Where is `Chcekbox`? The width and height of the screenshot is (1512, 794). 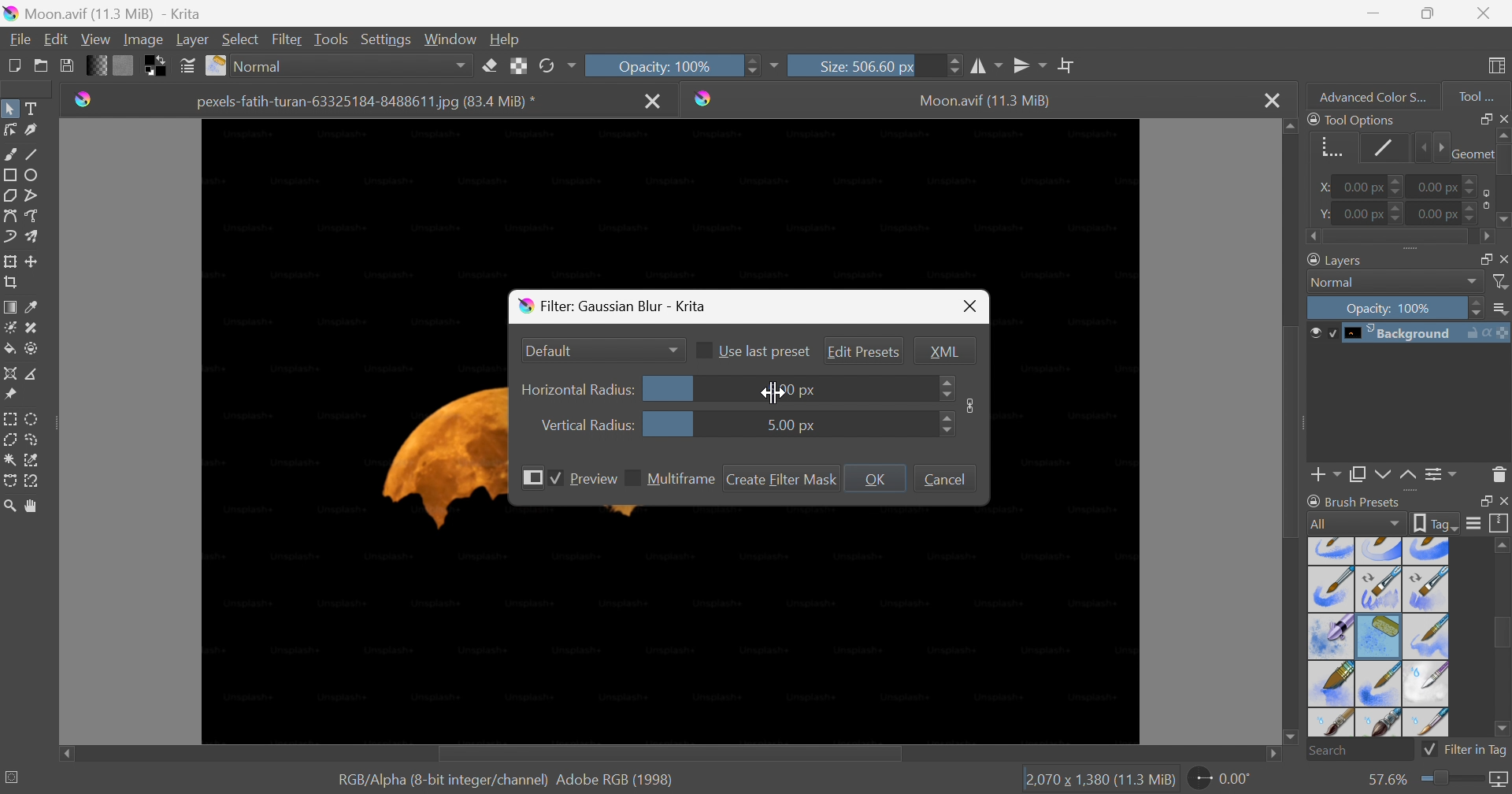 Chcekbox is located at coordinates (632, 477).